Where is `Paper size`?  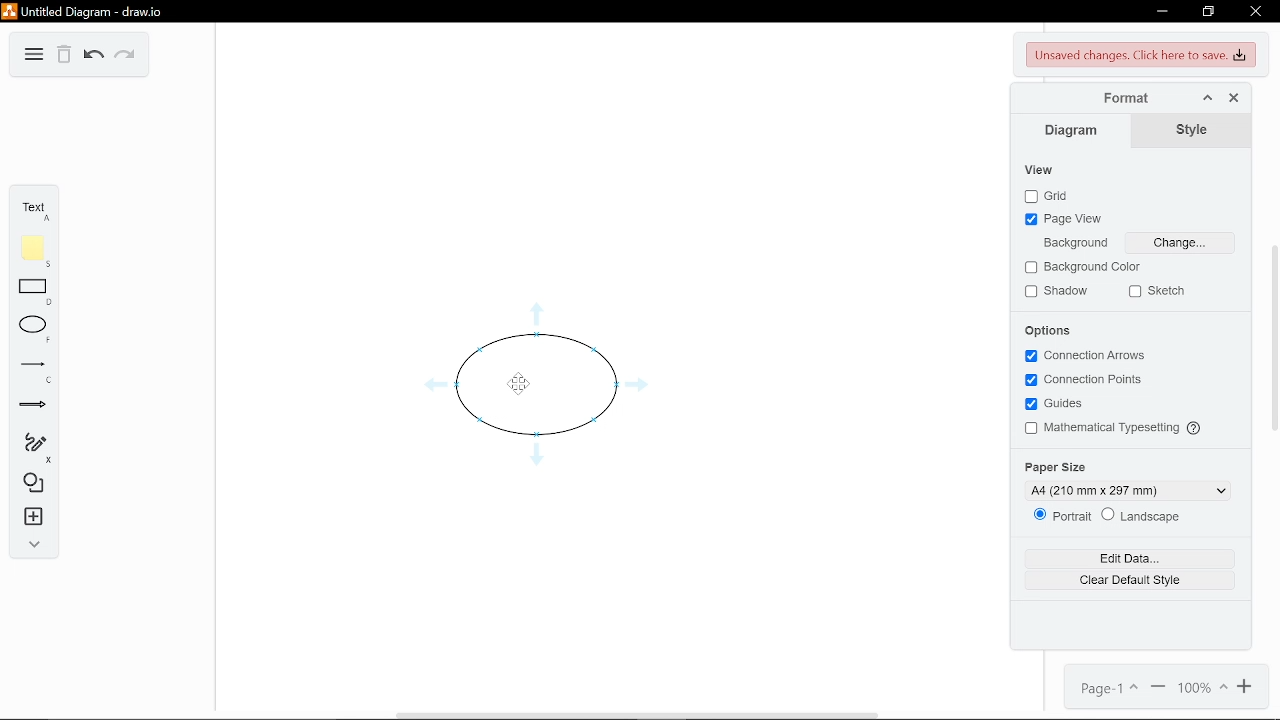
Paper size is located at coordinates (1055, 467).